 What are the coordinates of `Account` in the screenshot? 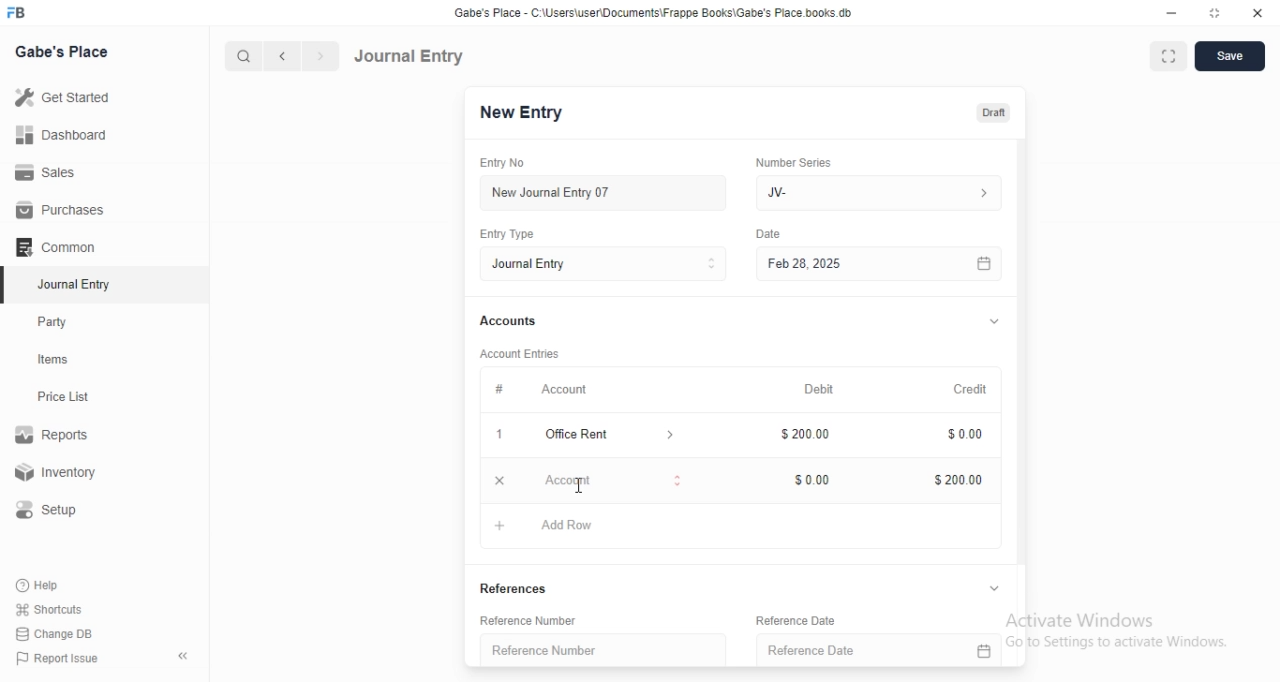 It's located at (538, 481).